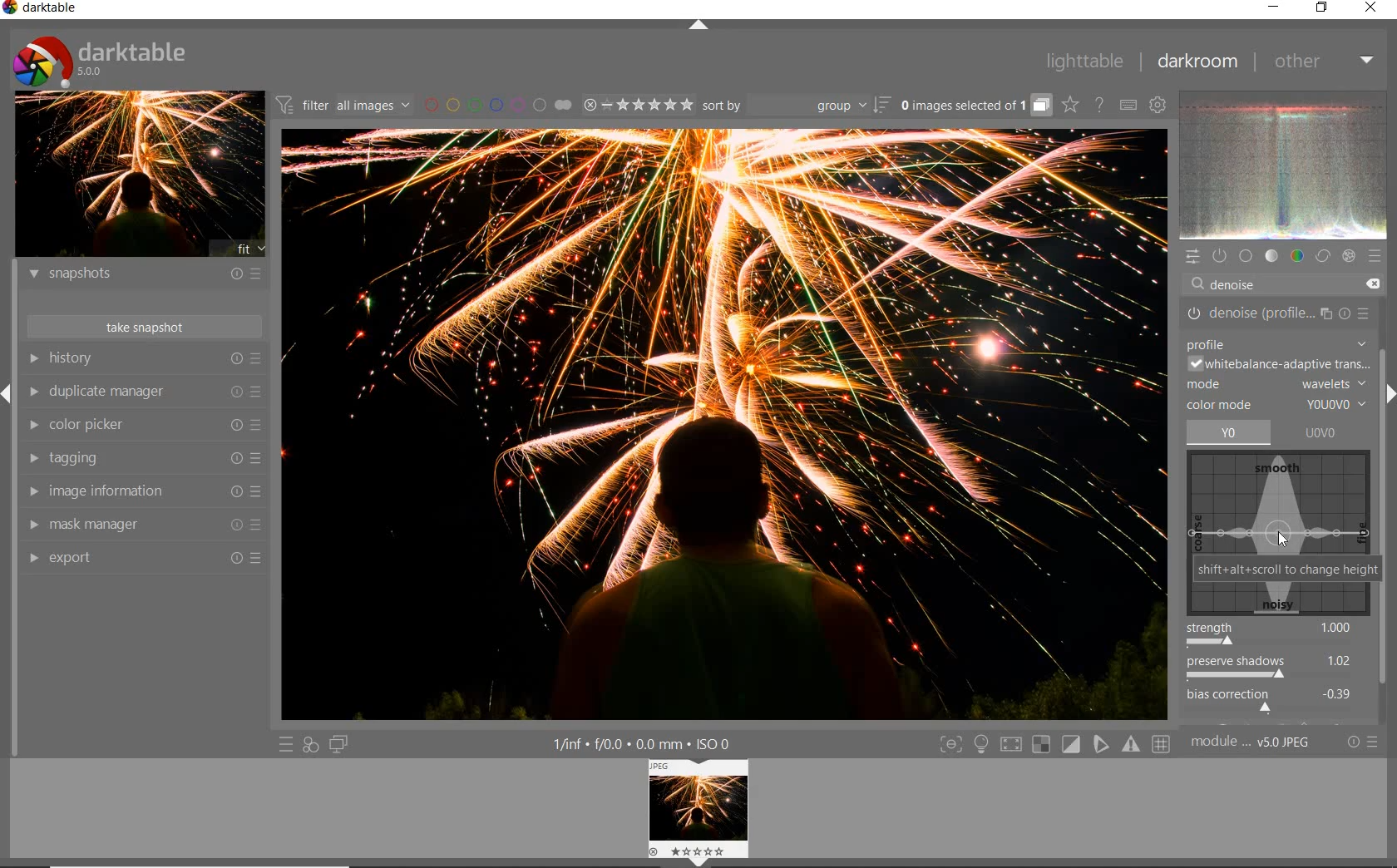 The width and height of the screenshot is (1397, 868). I want to click on quick access panel, so click(1193, 255).